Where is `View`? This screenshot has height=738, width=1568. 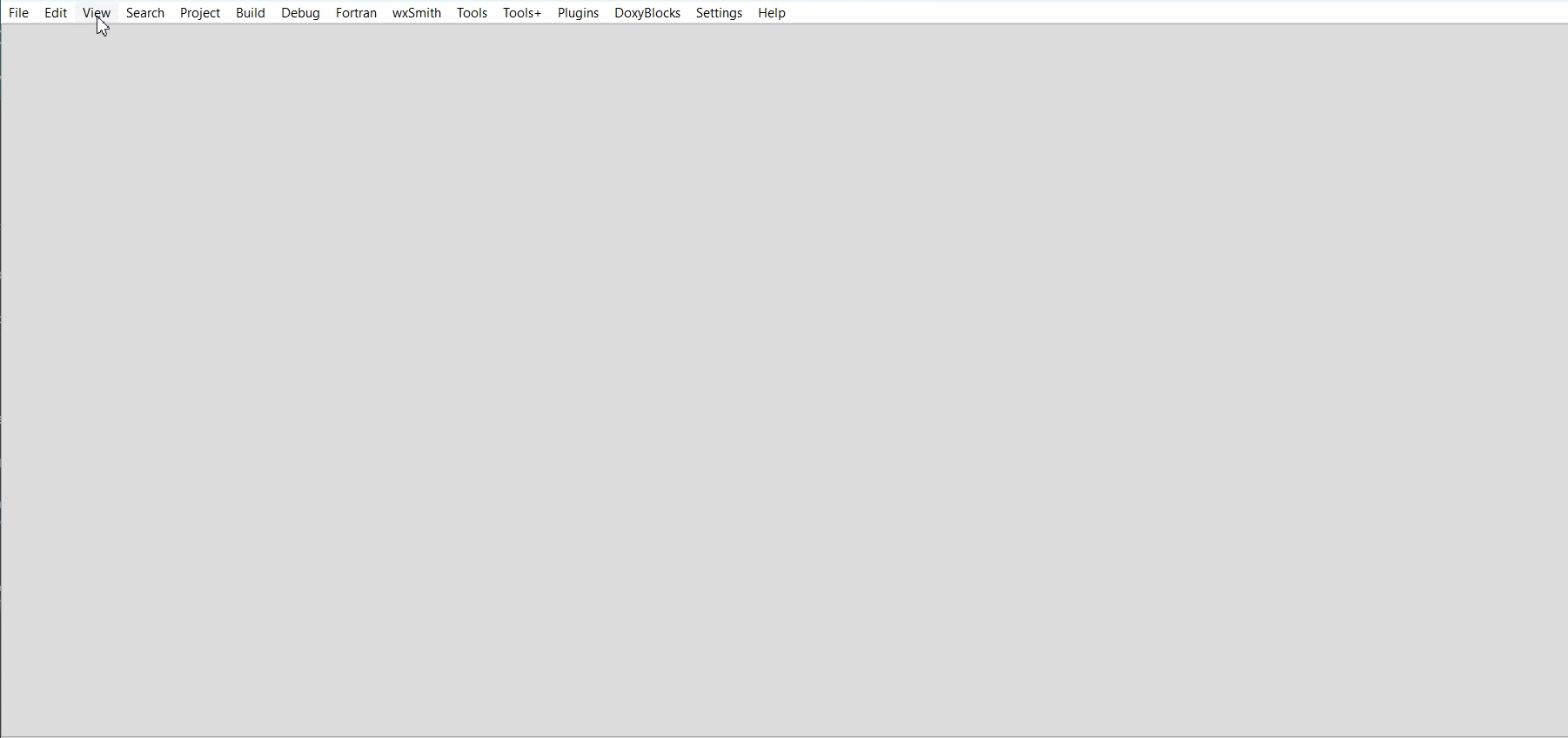
View is located at coordinates (97, 12).